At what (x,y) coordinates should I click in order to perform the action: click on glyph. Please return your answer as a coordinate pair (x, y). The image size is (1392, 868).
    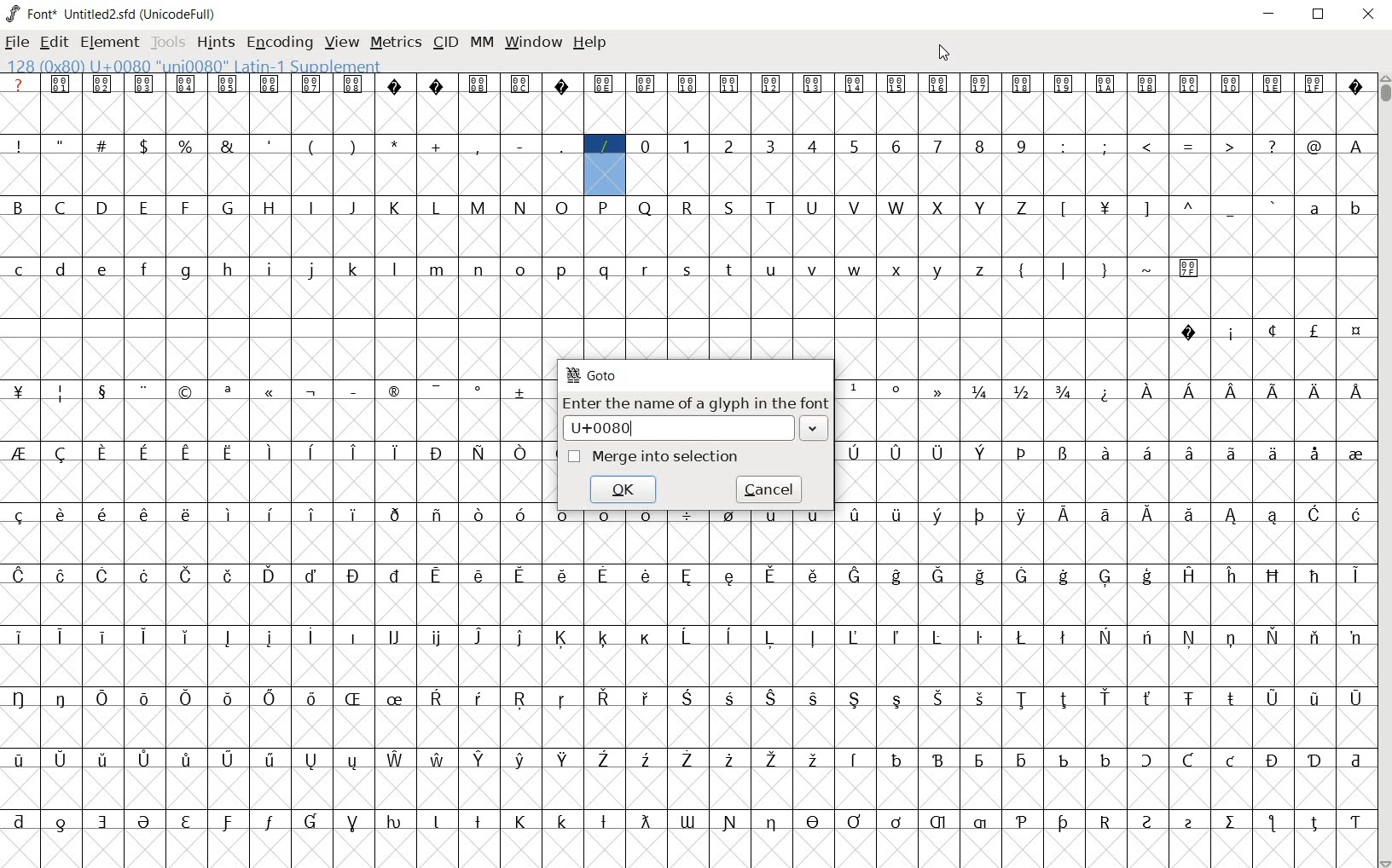
    Looking at the image, I should click on (184, 272).